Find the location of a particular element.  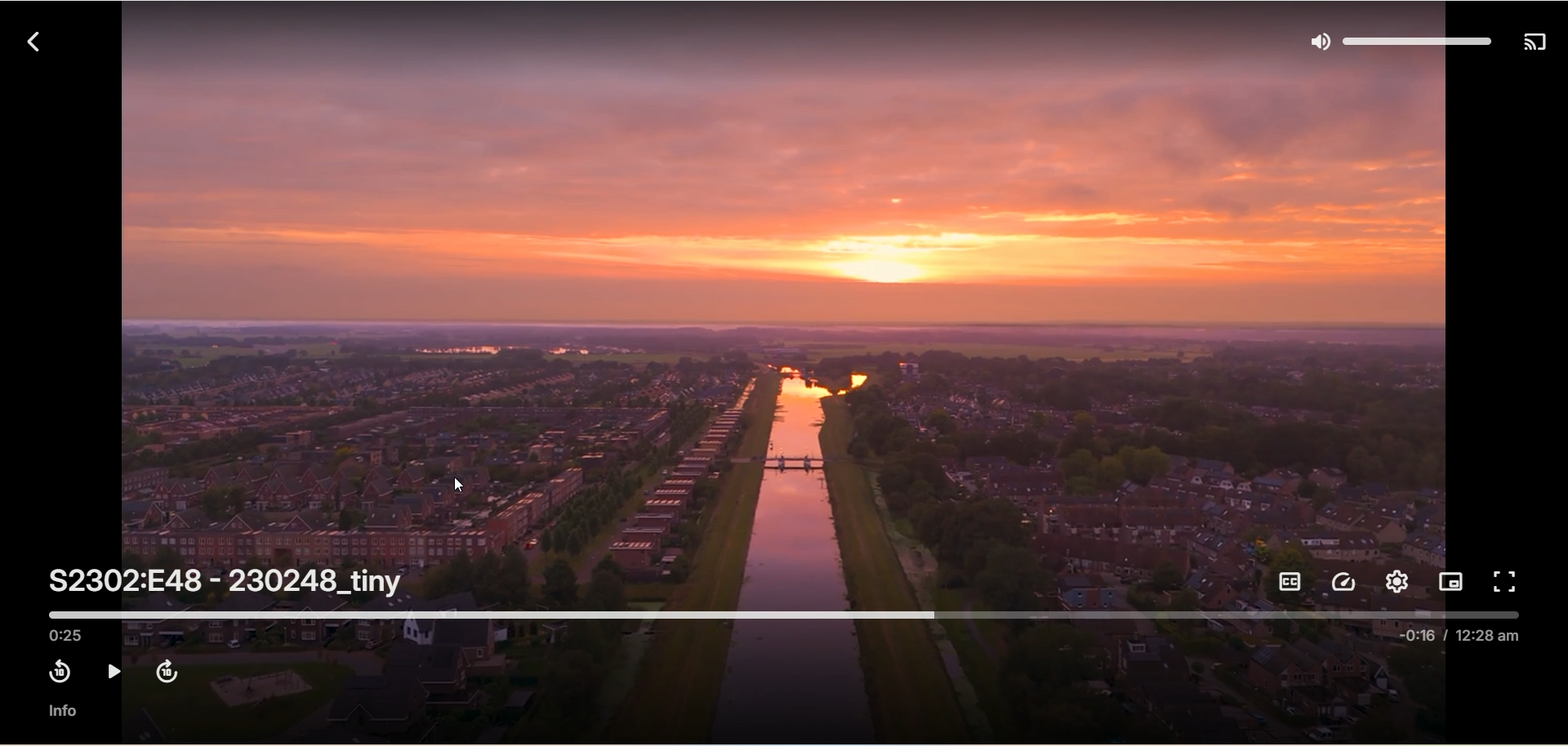

fast forward is located at coordinates (166, 669).